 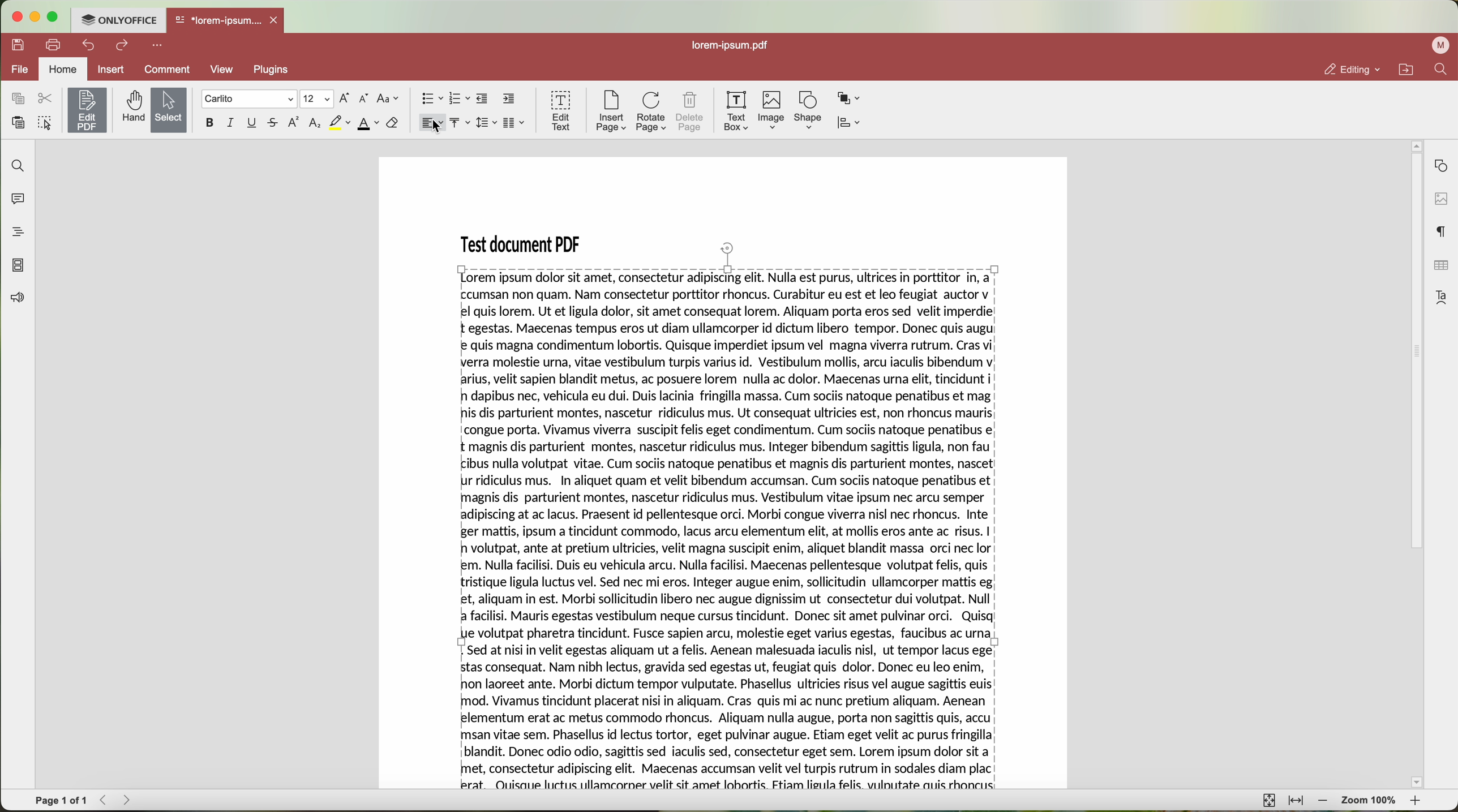 I want to click on selected text, so click(x=727, y=530).